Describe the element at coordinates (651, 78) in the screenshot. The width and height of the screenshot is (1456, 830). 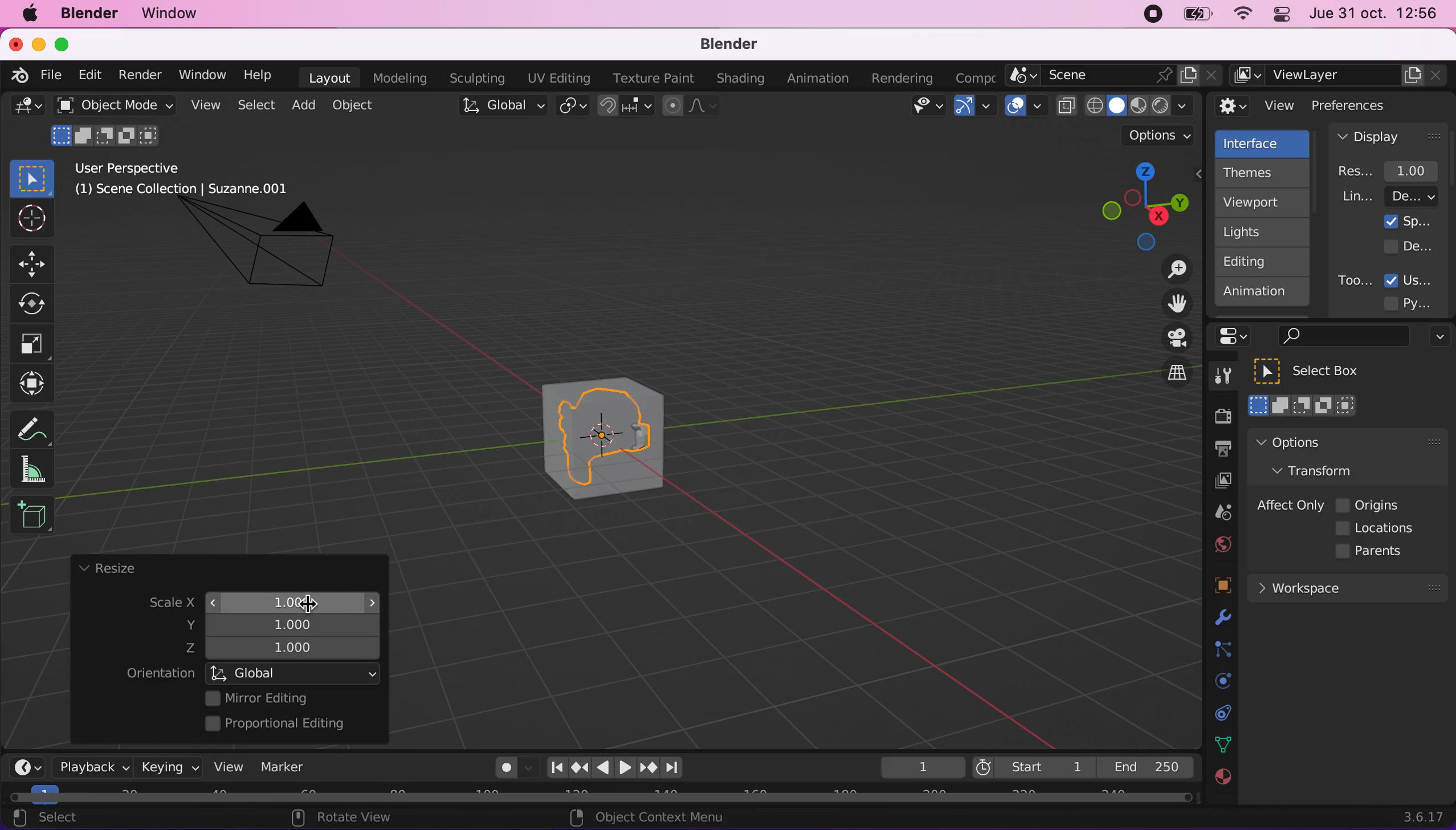
I see `texture paint` at that location.